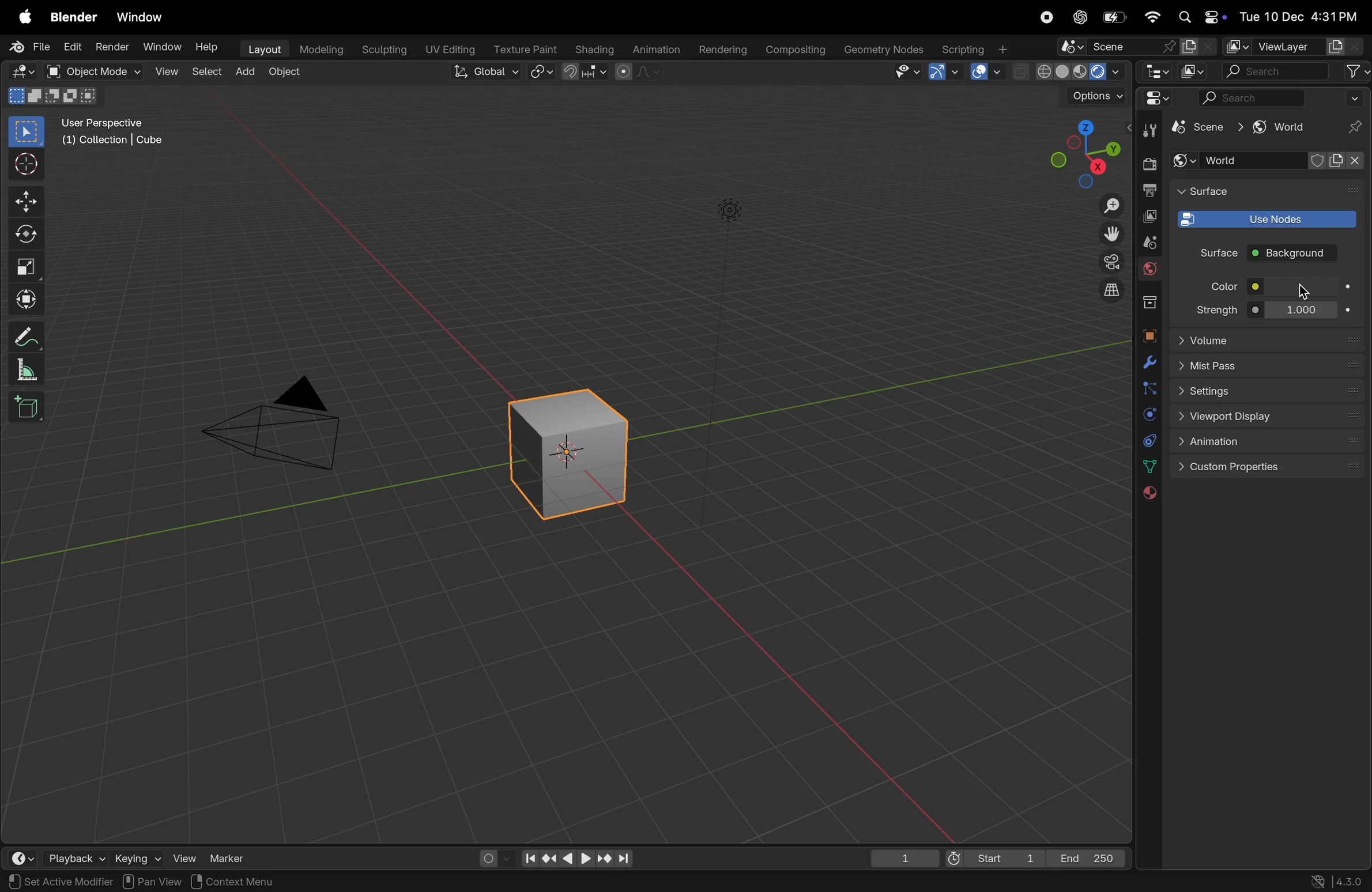  I want to click on Blender, so click(73, 16).